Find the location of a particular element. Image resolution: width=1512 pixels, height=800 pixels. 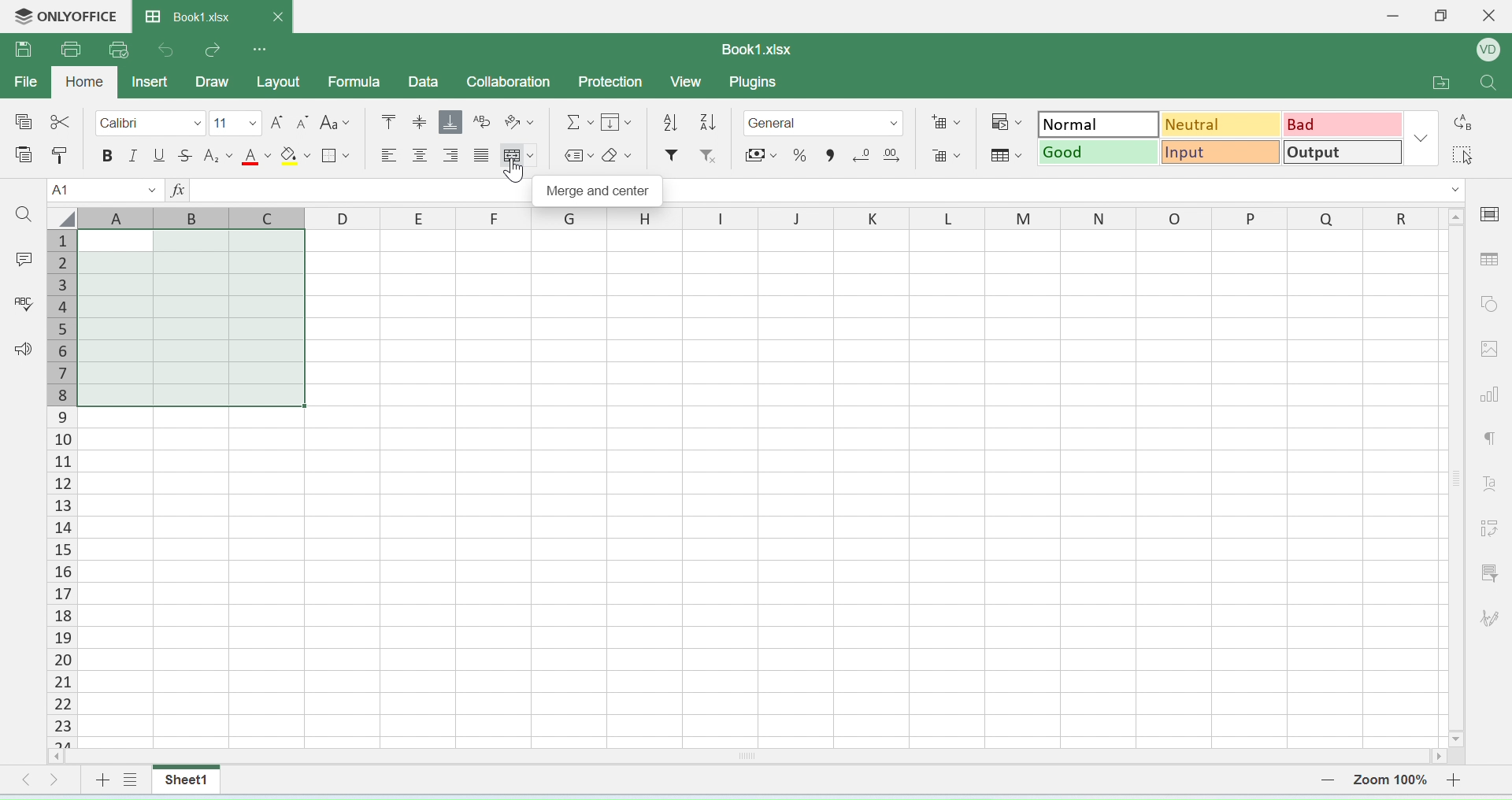

input is located at coordinates (1218, 151).